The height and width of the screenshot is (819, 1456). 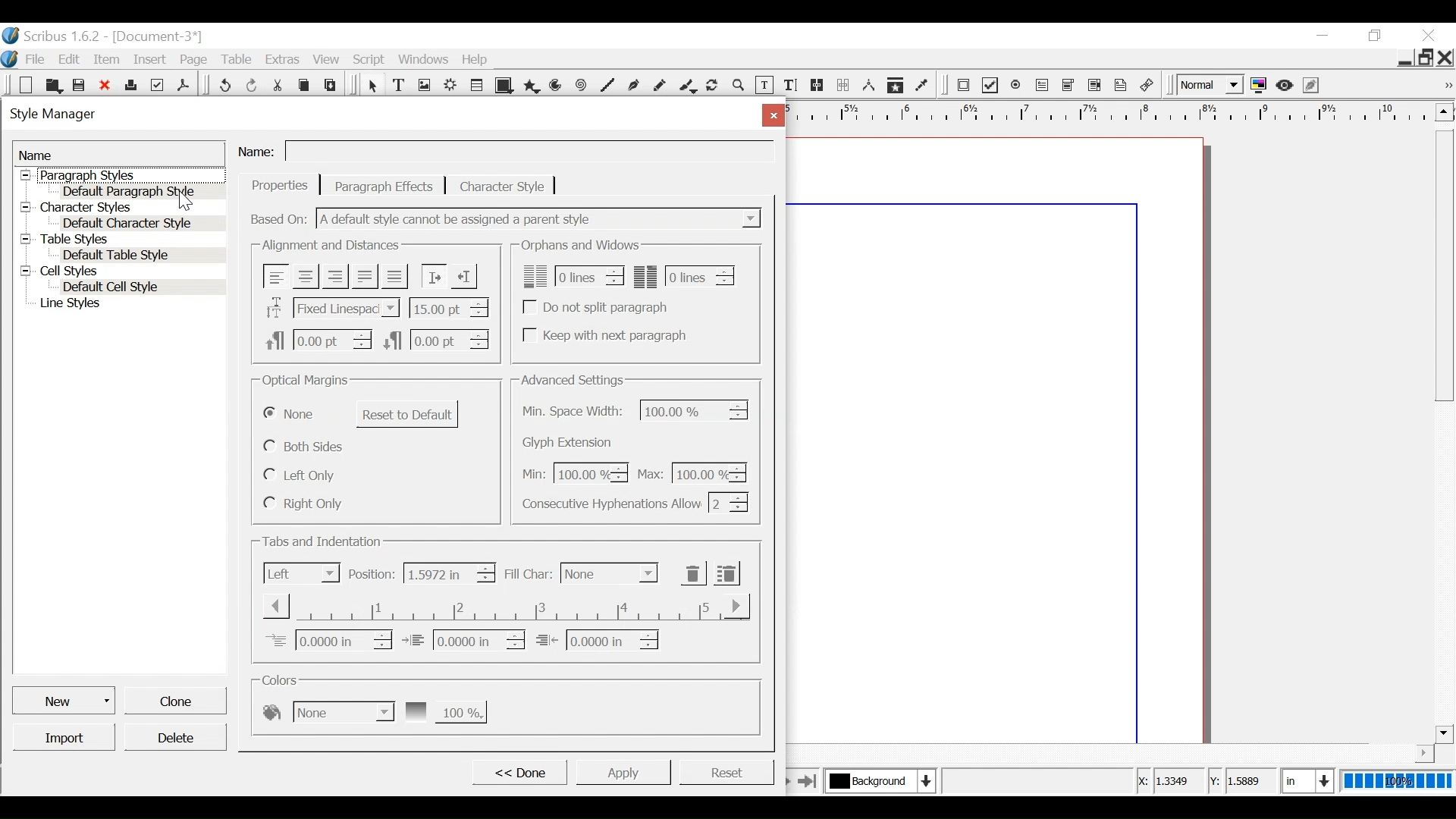 What do you see at coordinates (334, 276) in the screenshot?
I see `Align Right` at bounding box center [334, 276].